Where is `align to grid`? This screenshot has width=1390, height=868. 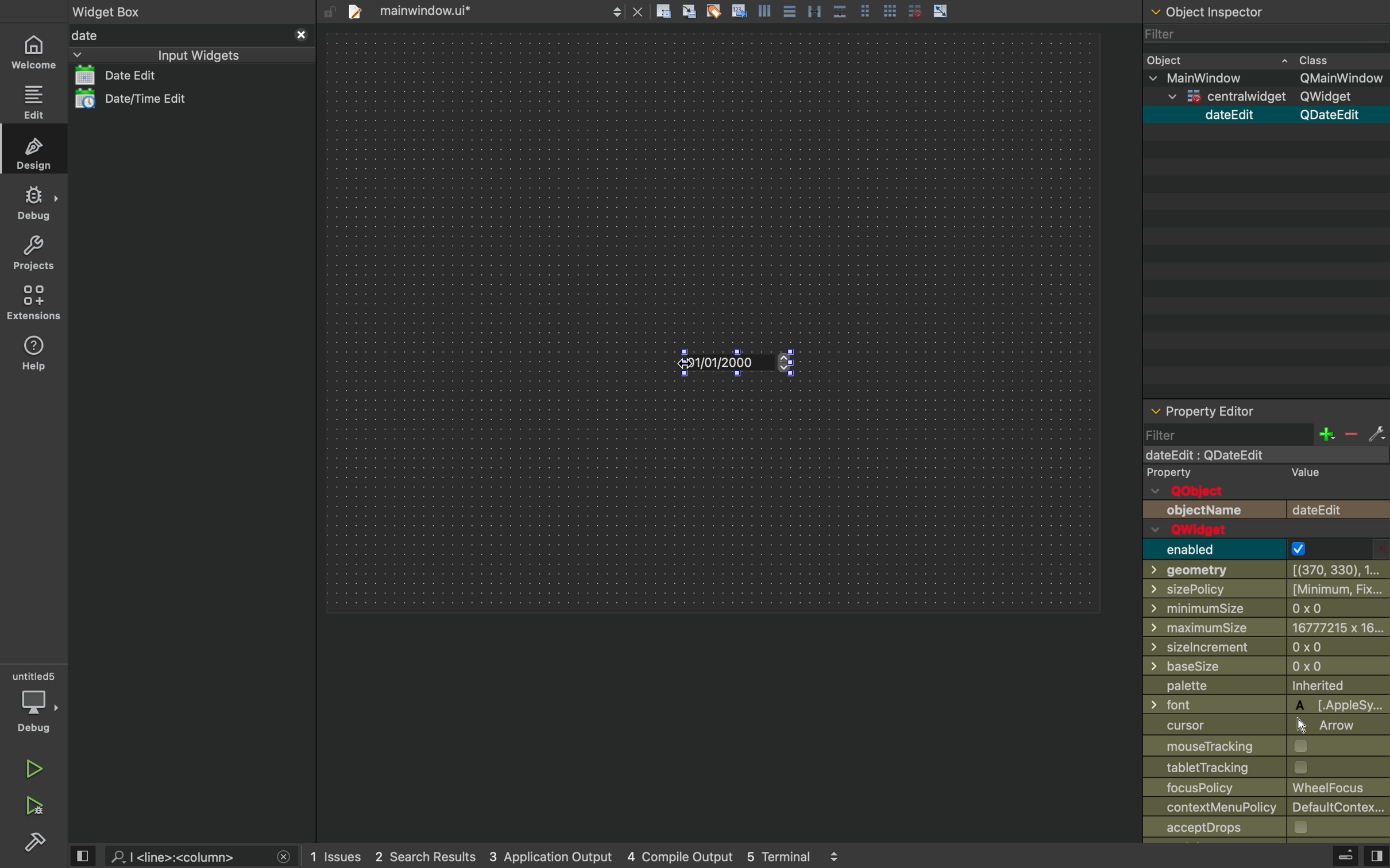
align to grid is located at coordinates (690, 11).